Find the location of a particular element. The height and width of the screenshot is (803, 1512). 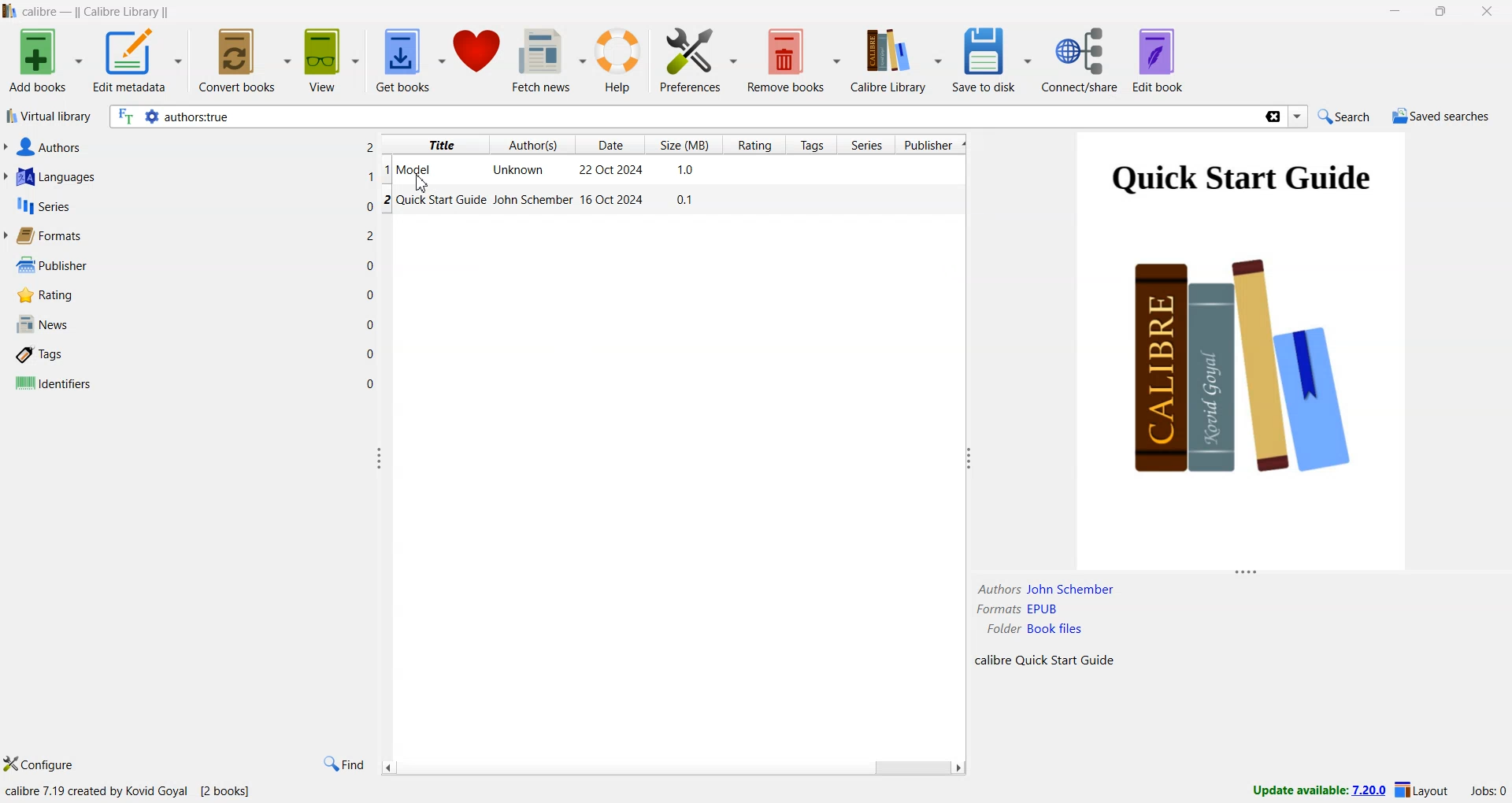

news is located at coordinates (41, 325).